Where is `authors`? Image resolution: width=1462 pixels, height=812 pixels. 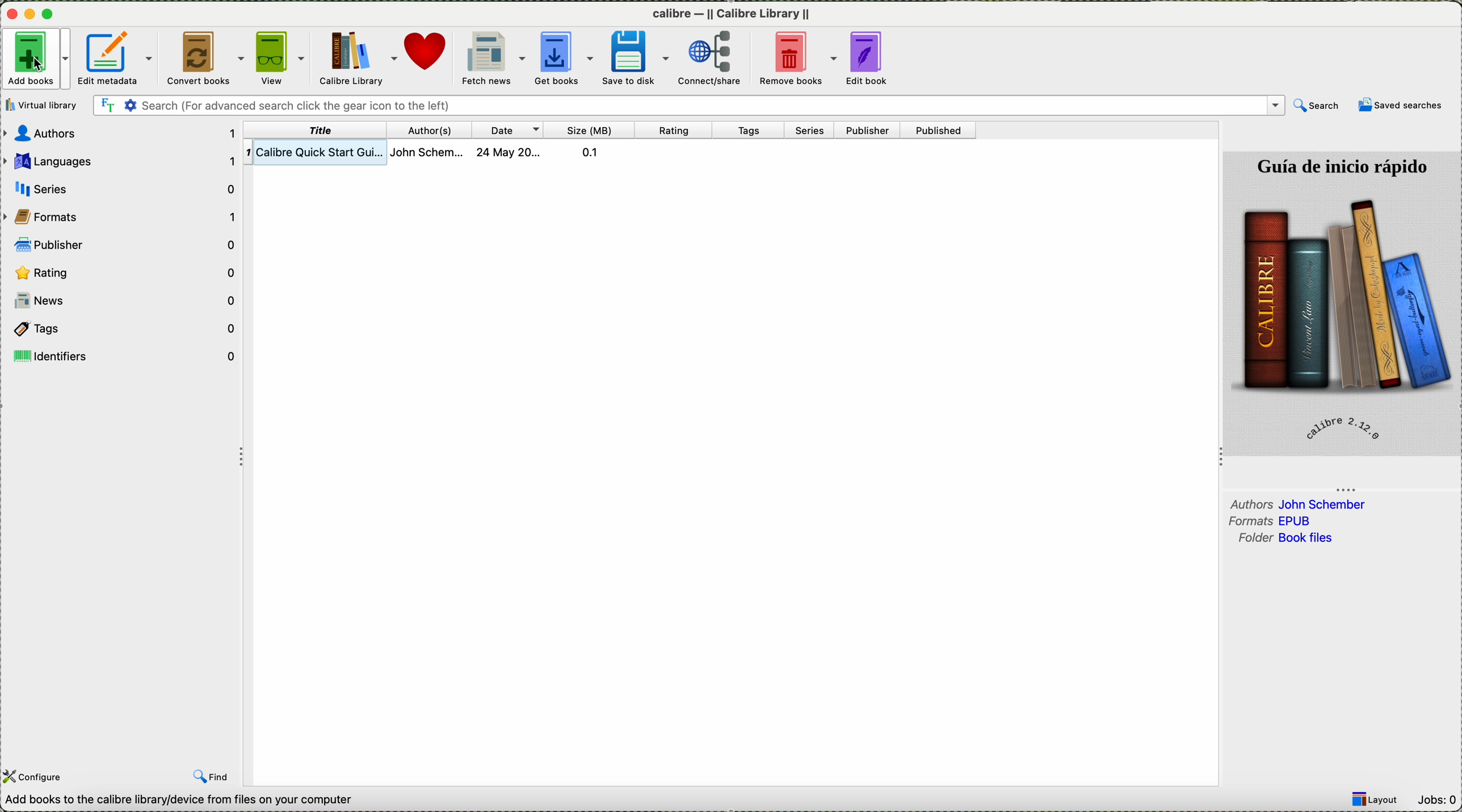
authors is located at coordinates (1299, 504).